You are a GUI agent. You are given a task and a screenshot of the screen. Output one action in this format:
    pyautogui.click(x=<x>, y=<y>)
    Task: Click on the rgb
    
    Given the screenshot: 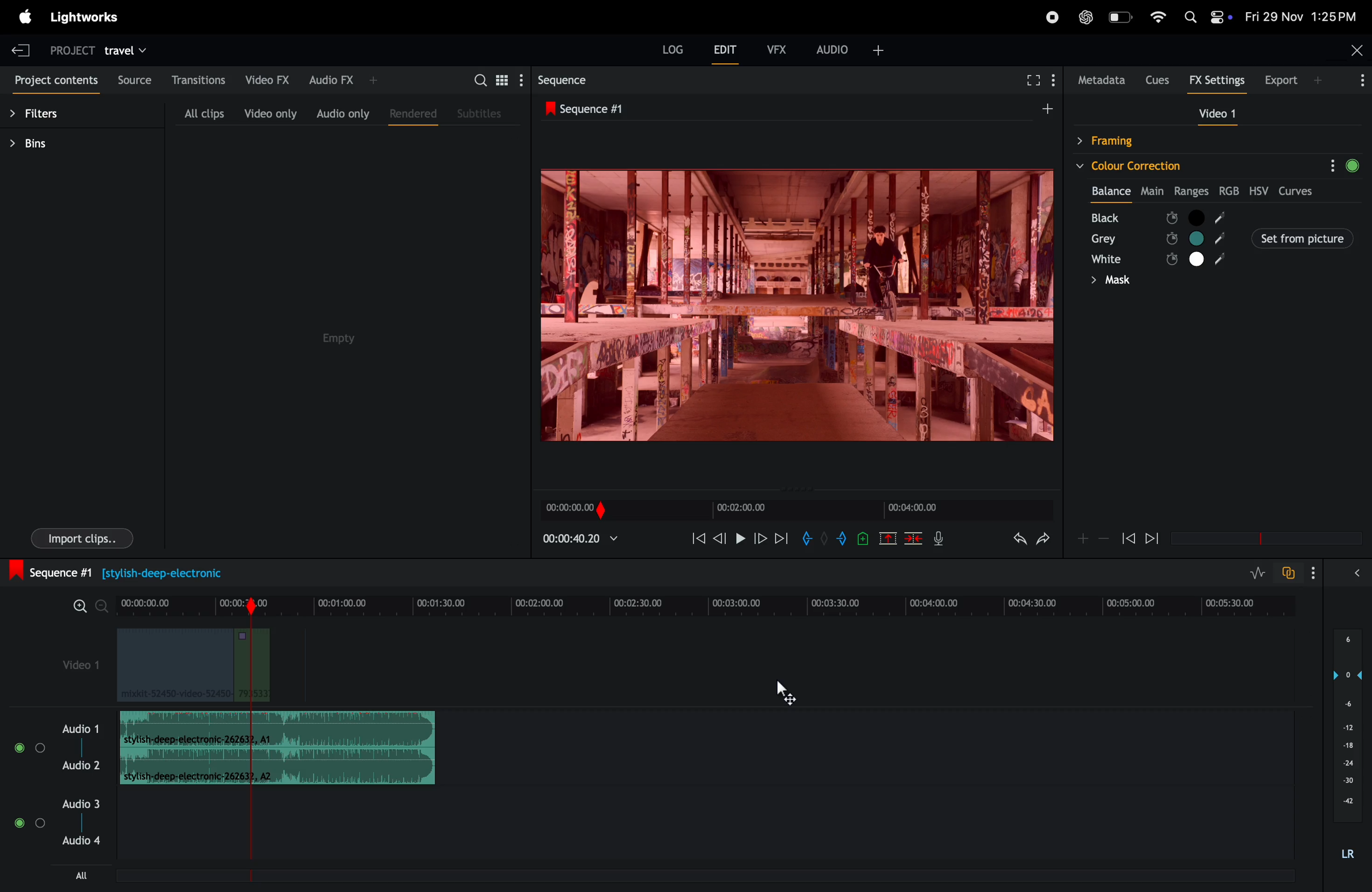 What is the action you would take?
    pyautogui.click(x=1231, y=191)
    